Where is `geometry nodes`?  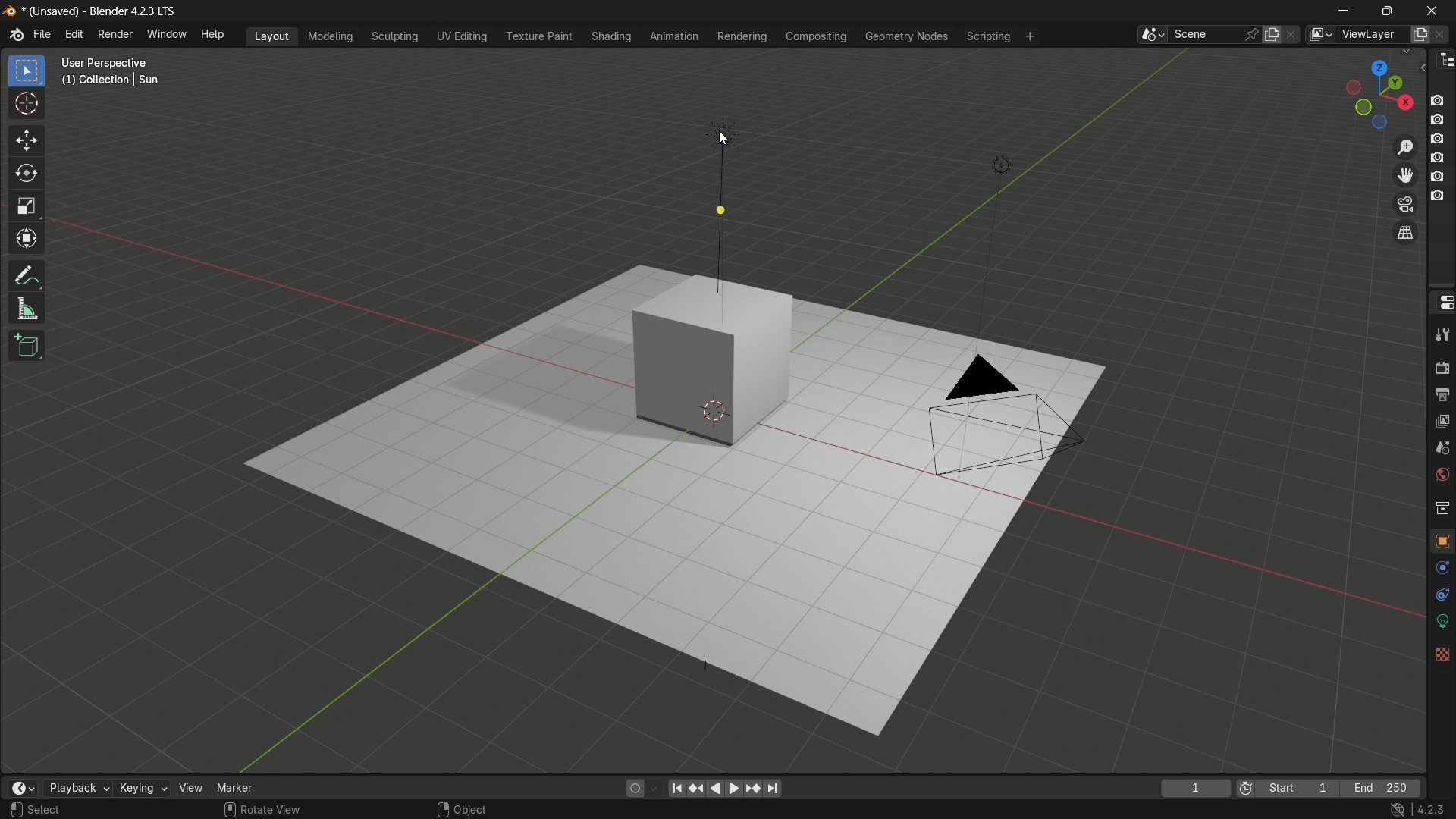 geometry nodes is located at coordinates (909, 36).